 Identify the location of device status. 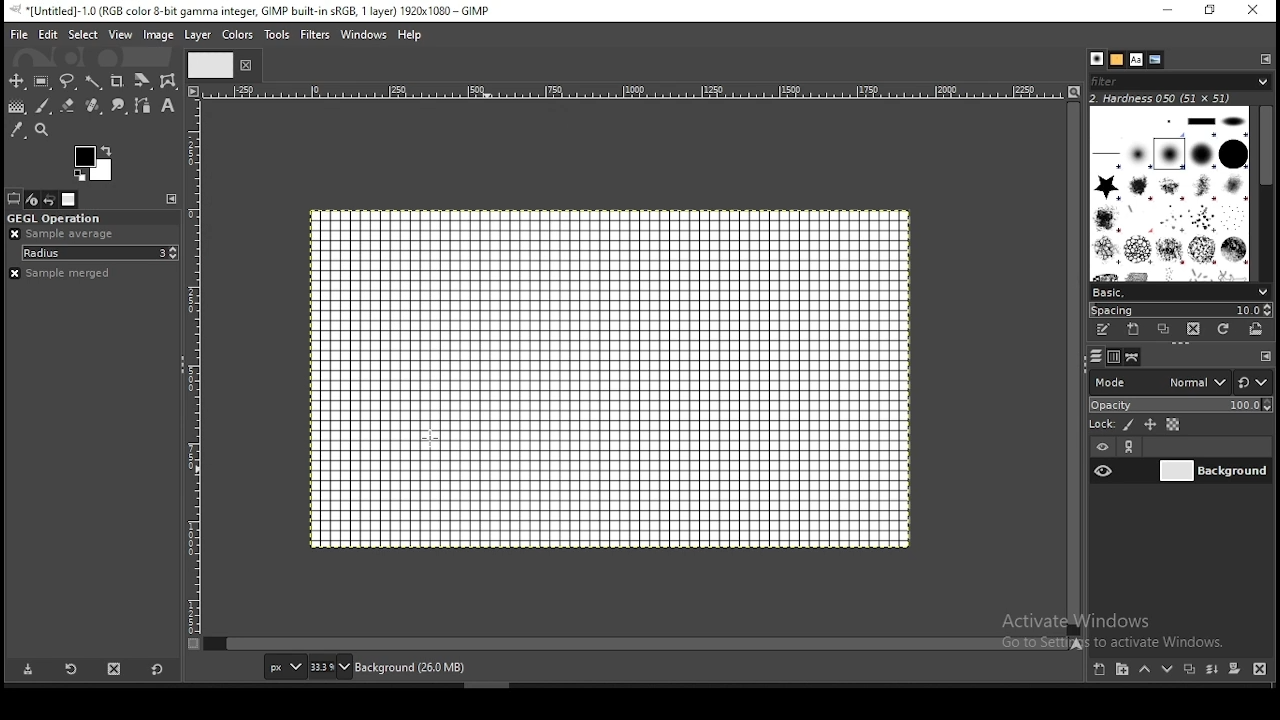
(32, 199).